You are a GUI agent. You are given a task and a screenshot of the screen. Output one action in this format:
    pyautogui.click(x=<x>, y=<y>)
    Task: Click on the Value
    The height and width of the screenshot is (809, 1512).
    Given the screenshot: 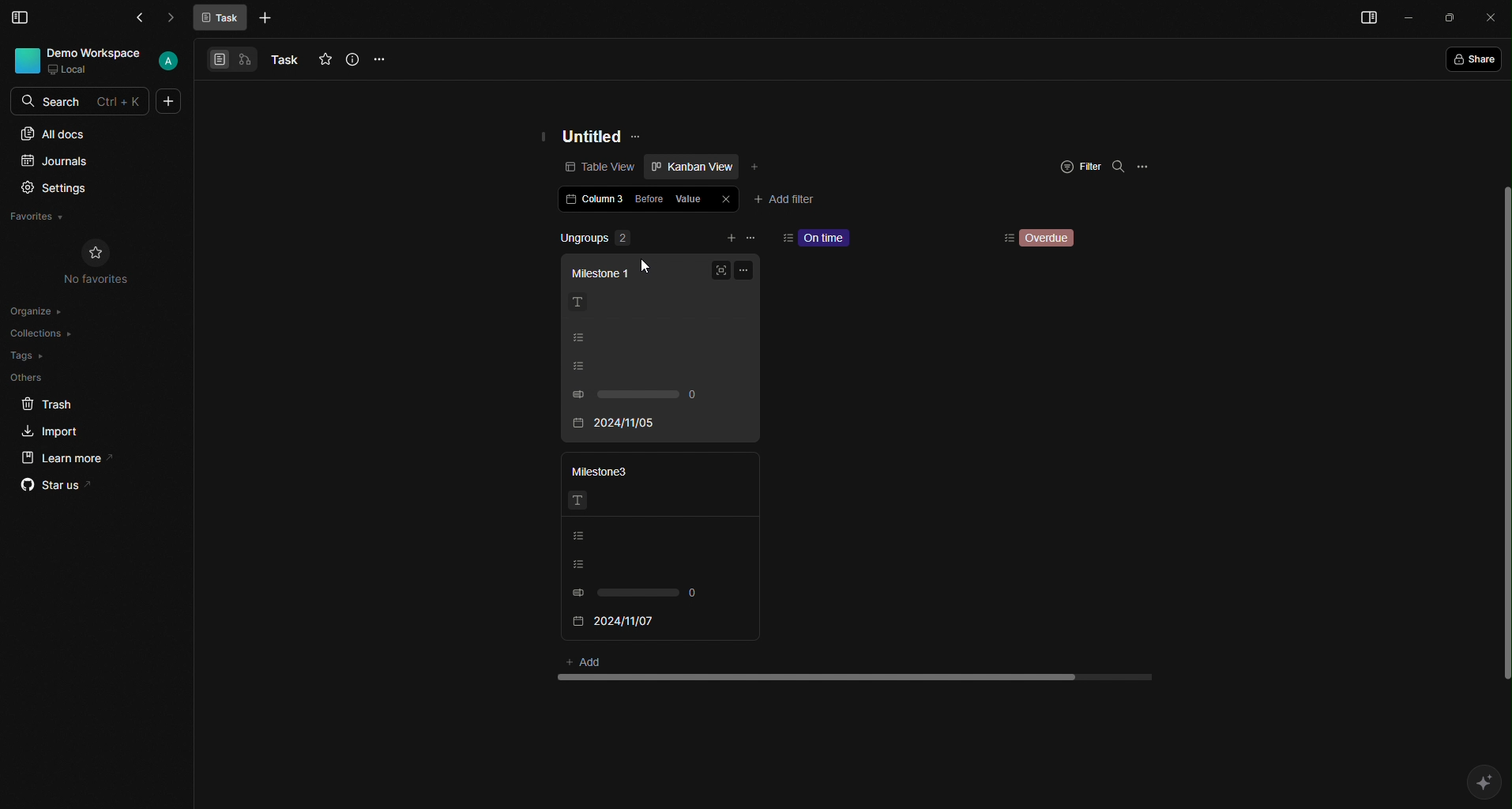 What is the action you would take?
    pyautogui.click(x=689, y=196)
    